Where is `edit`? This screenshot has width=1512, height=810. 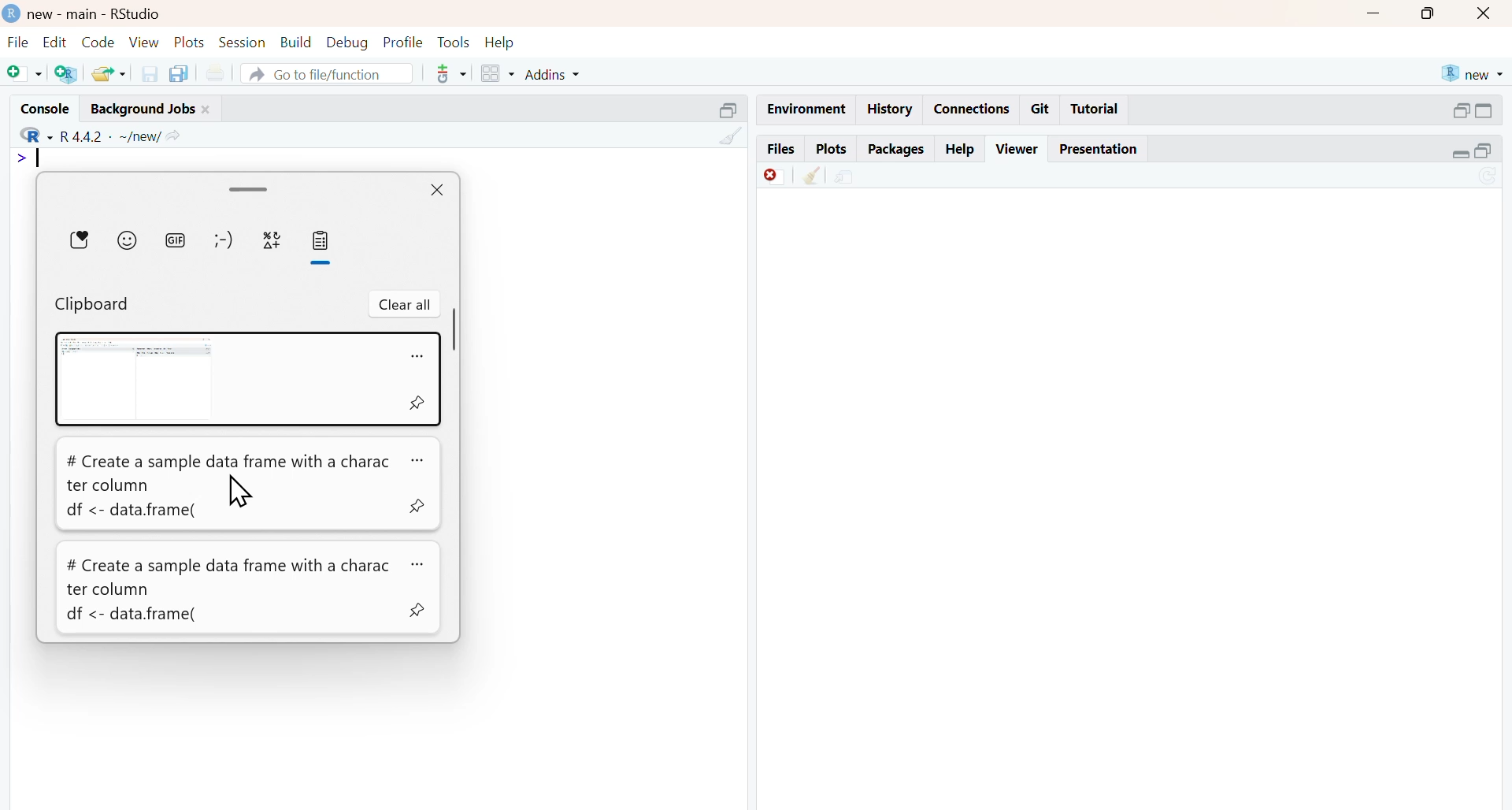
edit is located at coordinates (55, 43).